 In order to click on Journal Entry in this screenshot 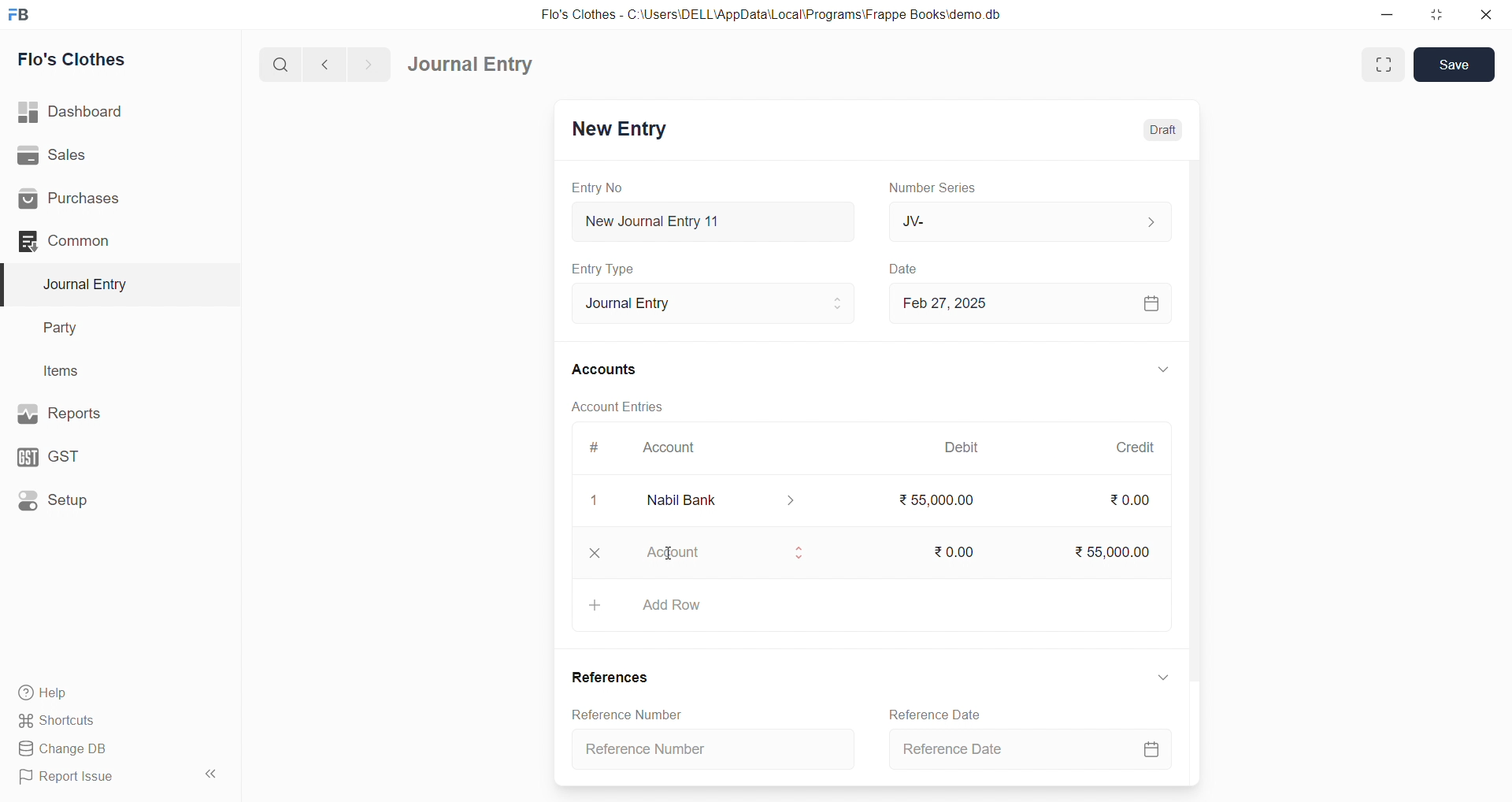, I will do `click(715, 303)`.